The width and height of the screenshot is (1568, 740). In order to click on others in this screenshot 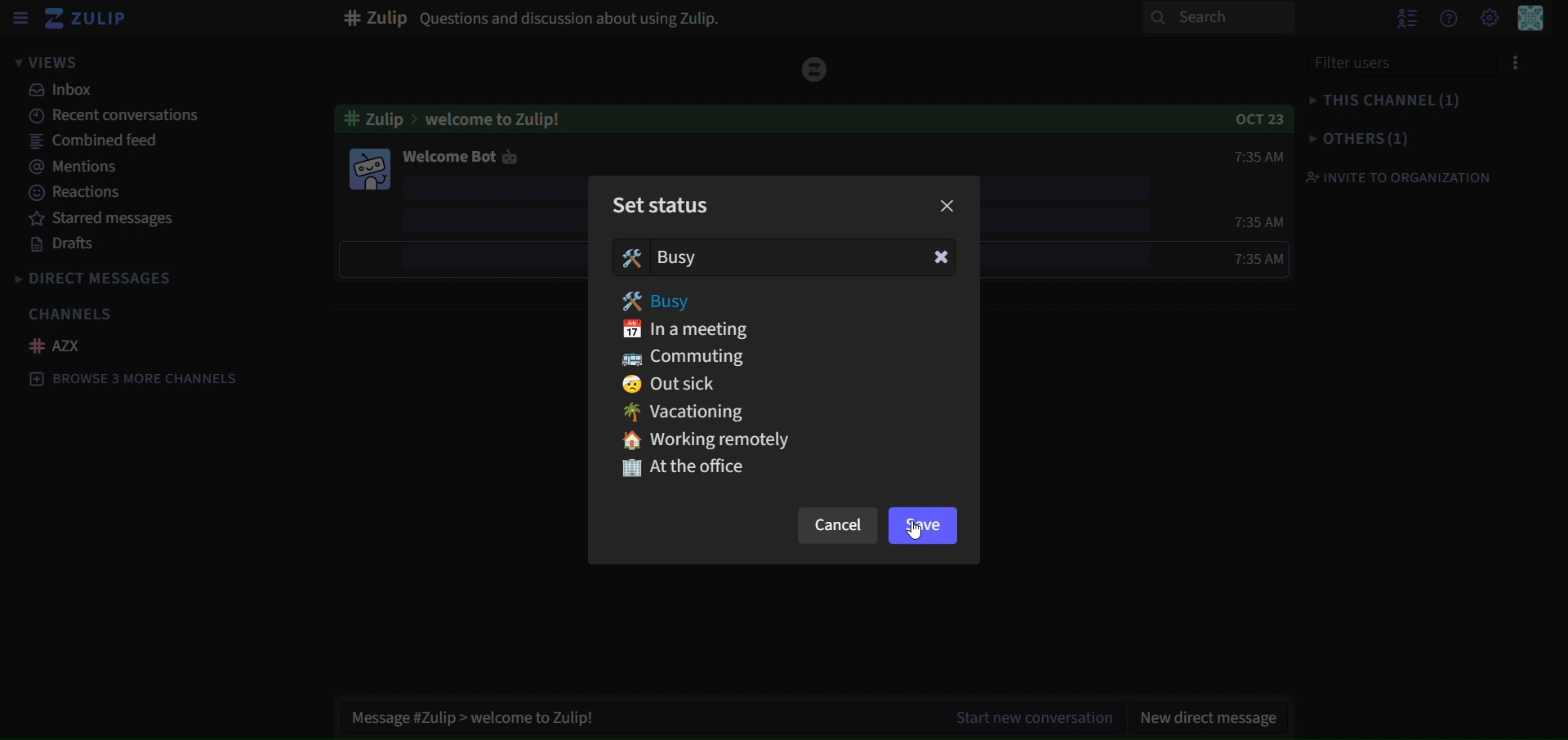, I will do `click(1358, 137)`.